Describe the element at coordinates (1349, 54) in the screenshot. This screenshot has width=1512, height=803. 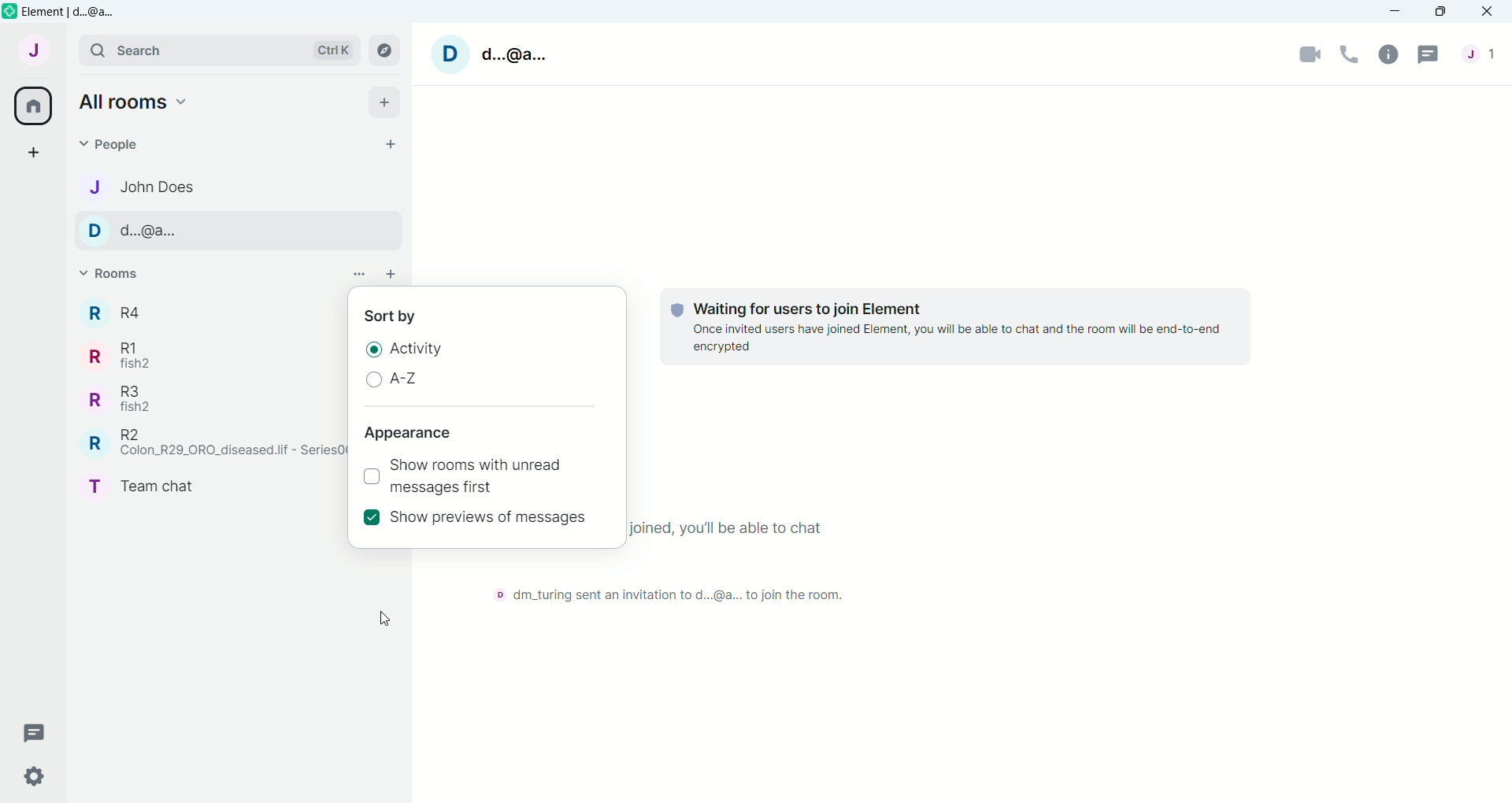
I see `Voice Call` at that location.